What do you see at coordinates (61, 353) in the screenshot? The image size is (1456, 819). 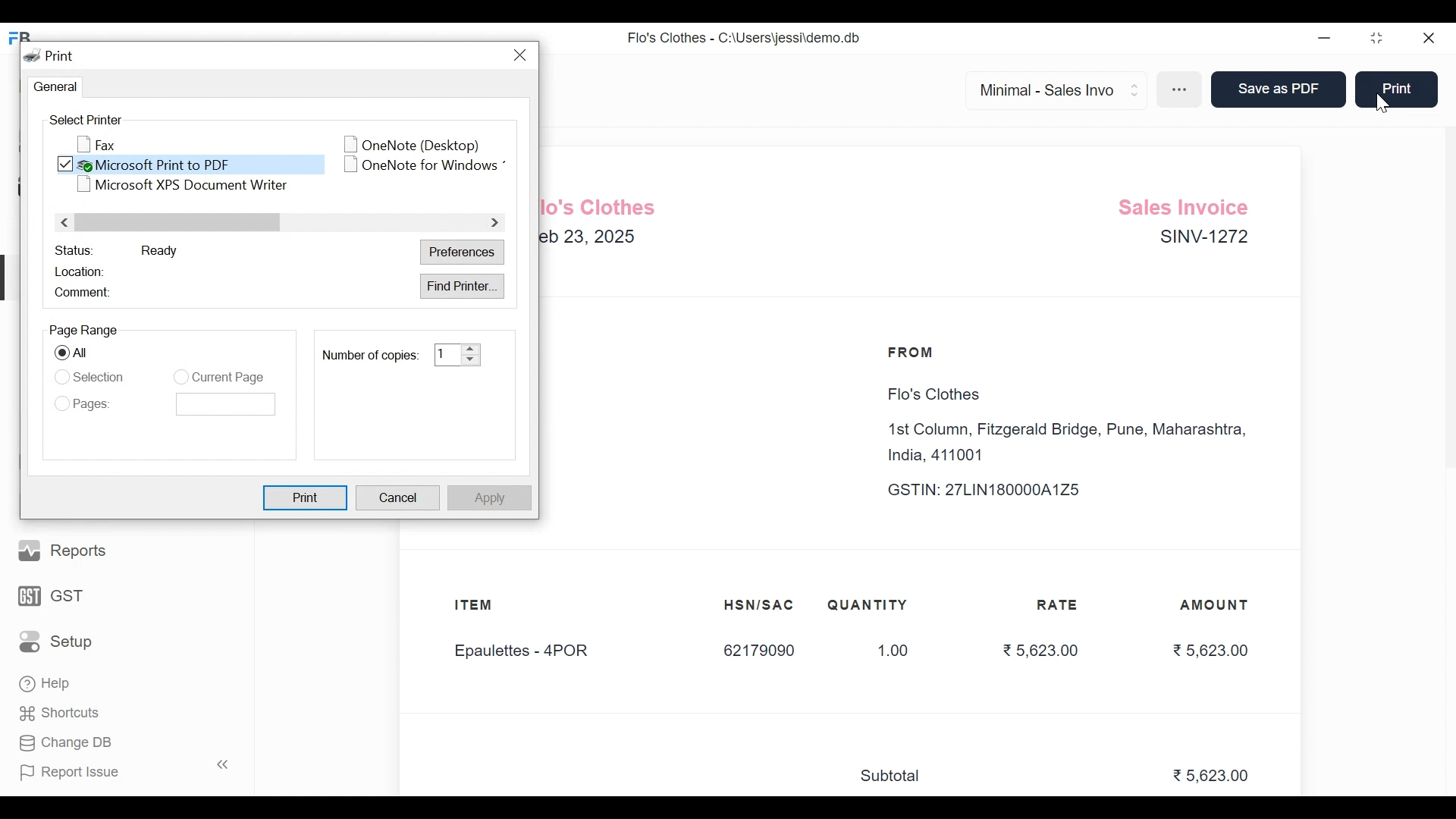 I see `select` at bounding box center [61, 353].